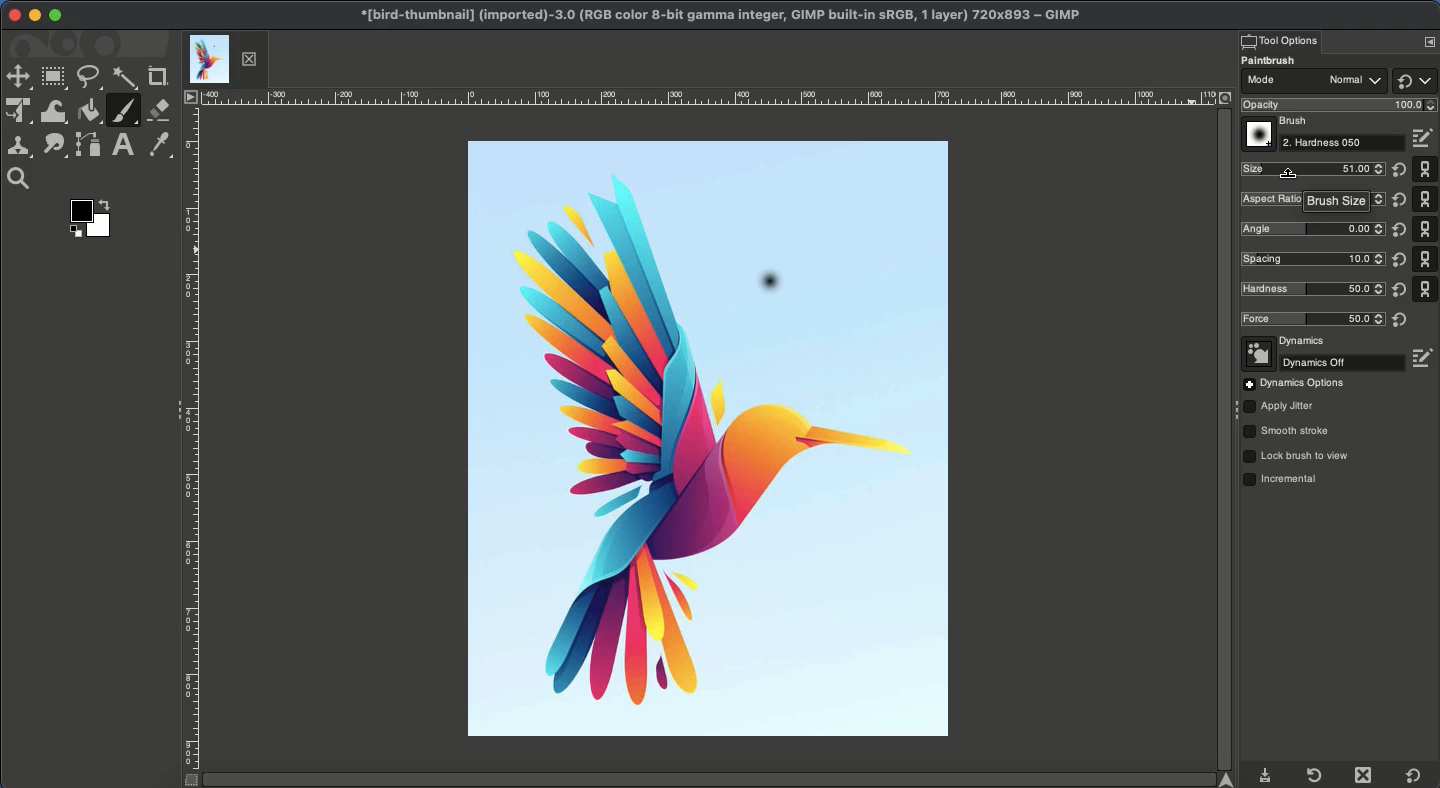  I want to click on Jitter, so click(1279, 408).